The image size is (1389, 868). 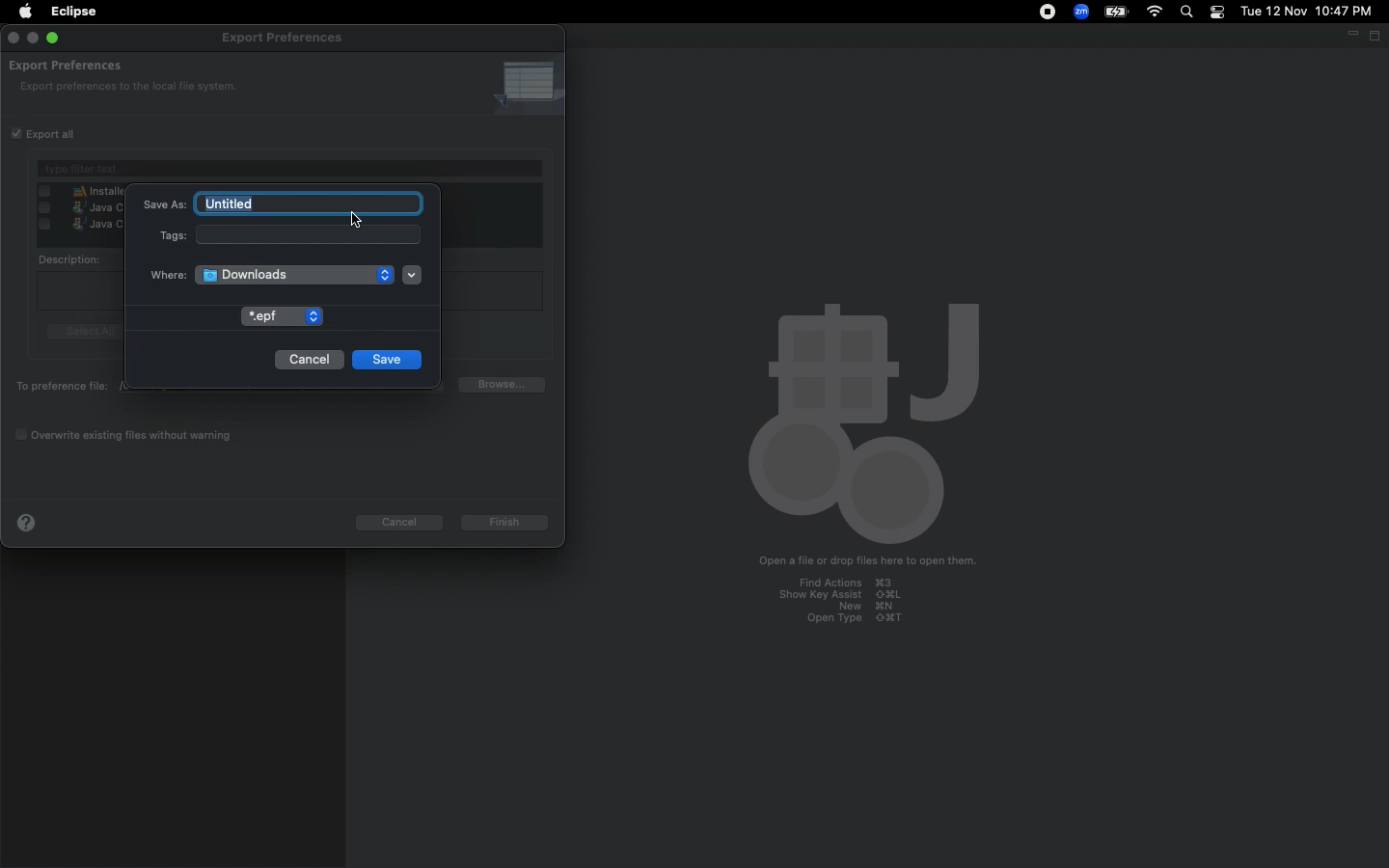 I want to click on Save, so click(x=391, y=359).